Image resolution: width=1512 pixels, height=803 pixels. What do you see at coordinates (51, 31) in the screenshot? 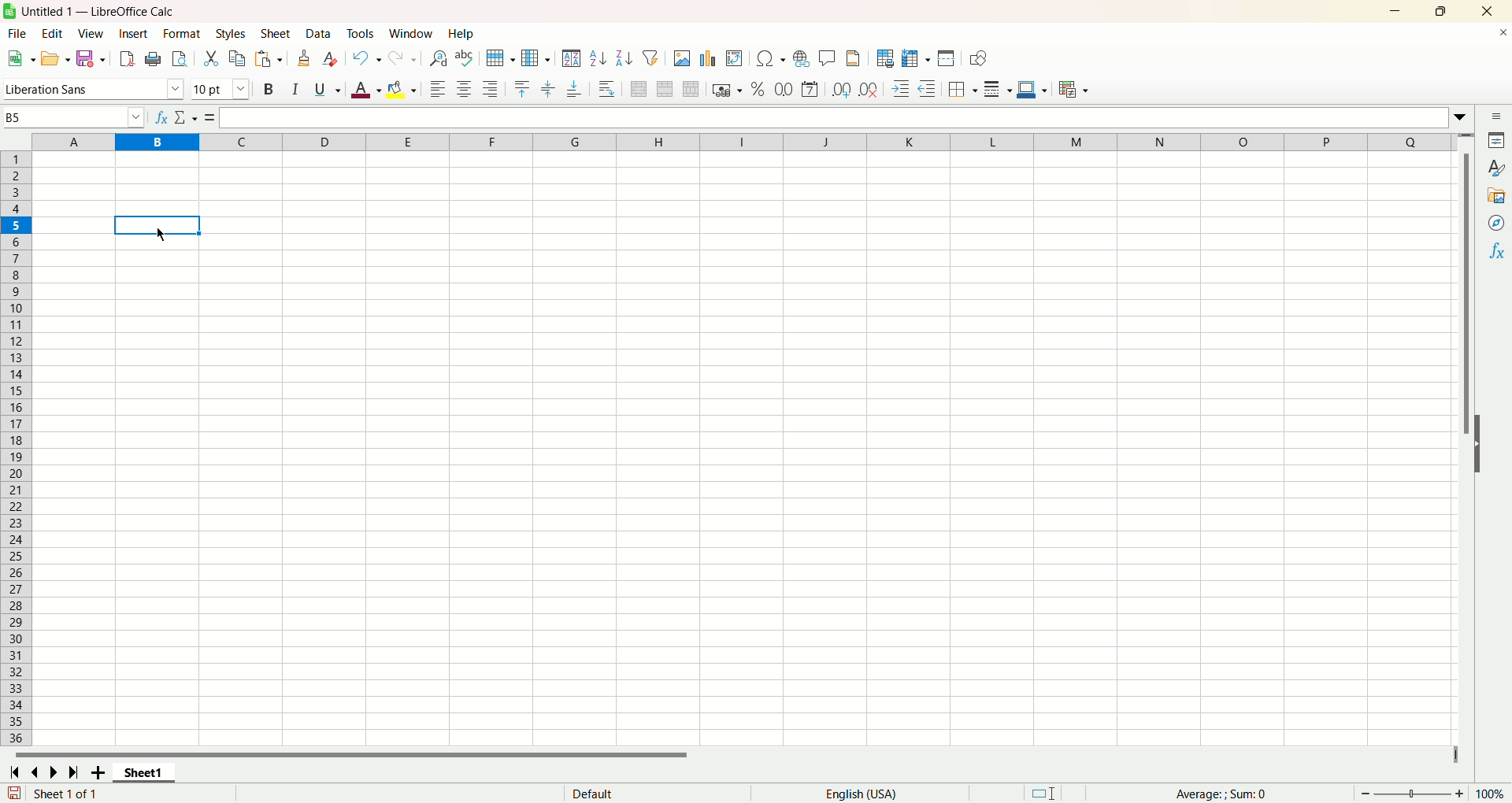
I see `edit` at bounding box center [51, 31].